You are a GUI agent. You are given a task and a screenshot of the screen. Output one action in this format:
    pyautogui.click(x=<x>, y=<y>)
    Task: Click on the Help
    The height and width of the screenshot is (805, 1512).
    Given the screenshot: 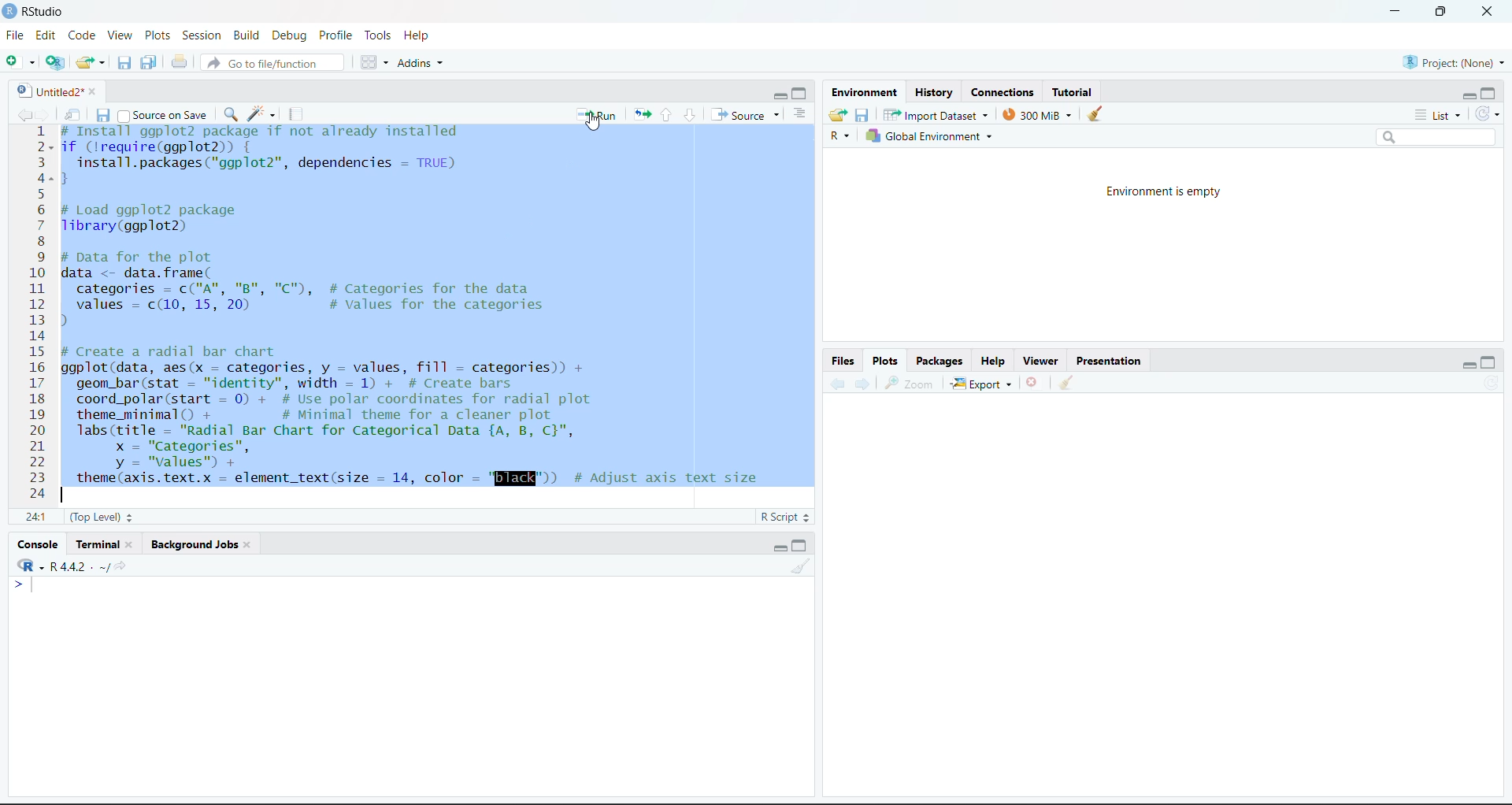 What is the action you would take?
    pyautogui.click(x=419, y=35)
    